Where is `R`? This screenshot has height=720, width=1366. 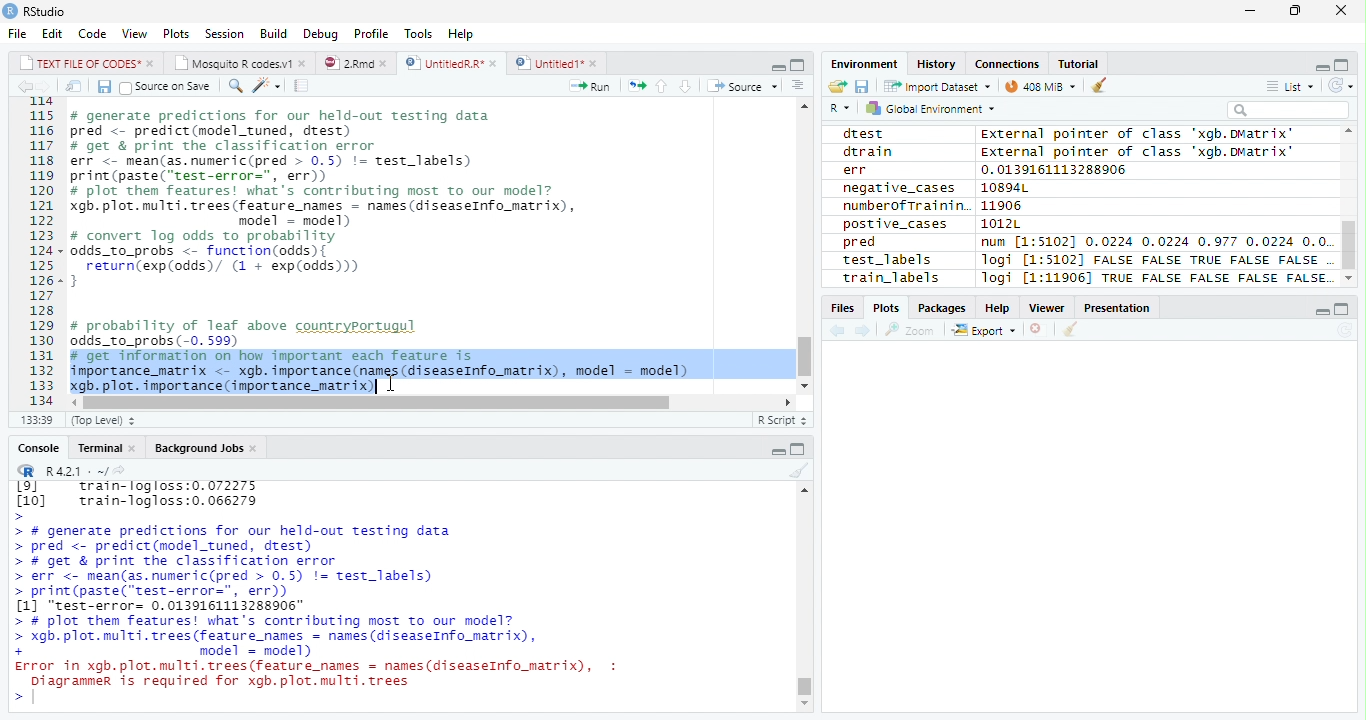 R is located at coordinates (840, 106).